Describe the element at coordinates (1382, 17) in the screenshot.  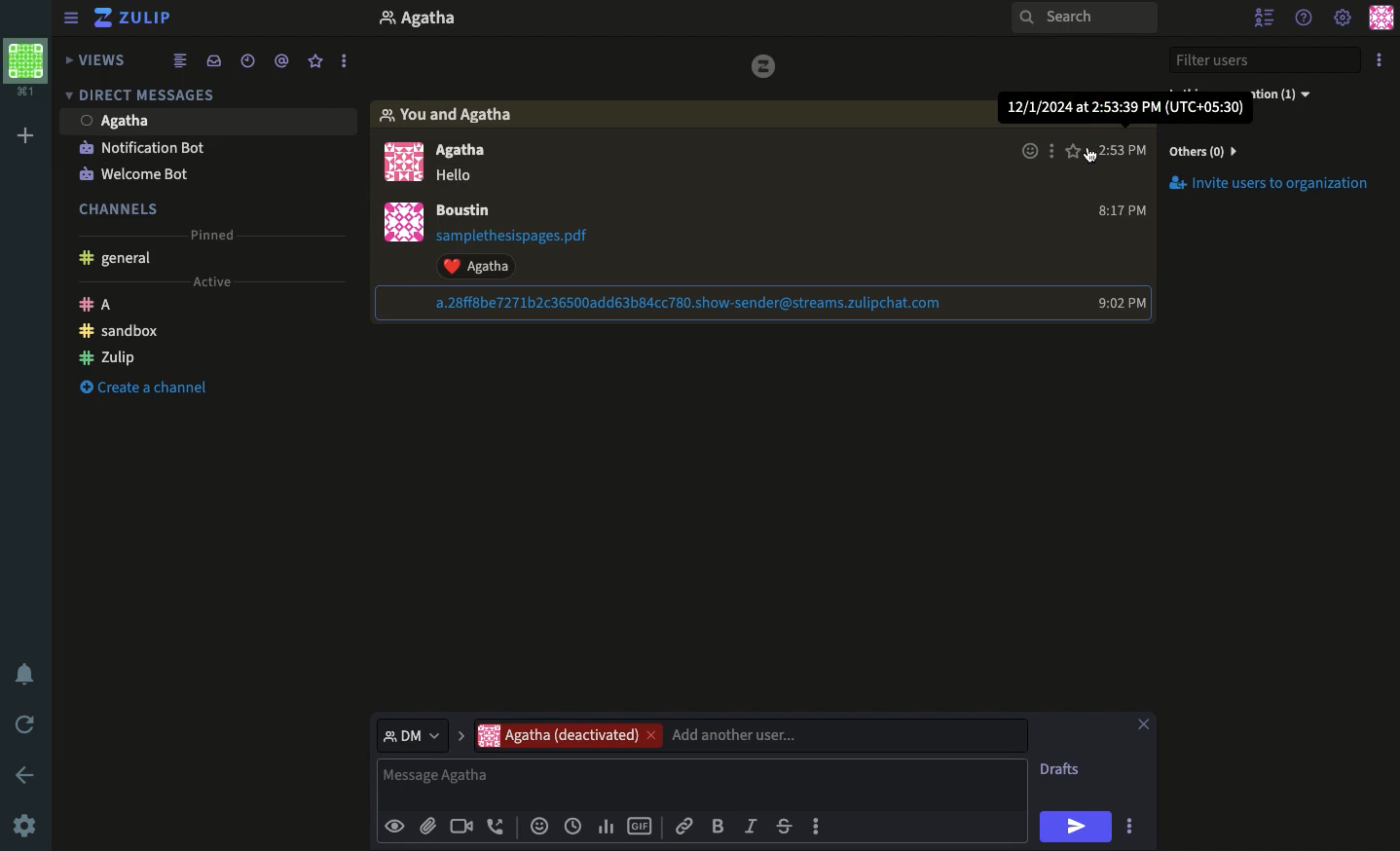
I see `Profile` at that location.